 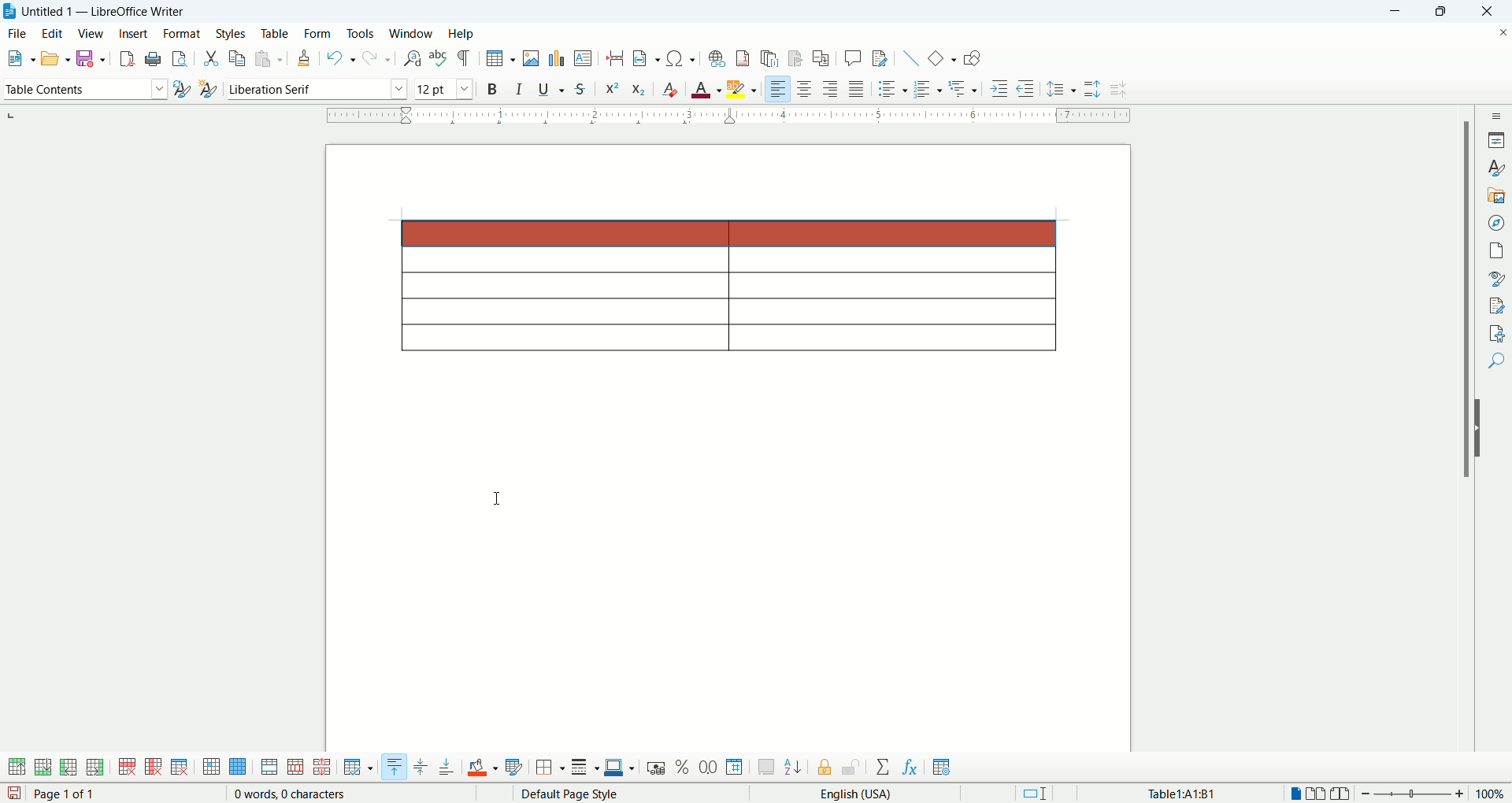 What do you see at coordinates (83, 87) in the screenshot?
I see `pragraph style` at bounding box center [83, 87].